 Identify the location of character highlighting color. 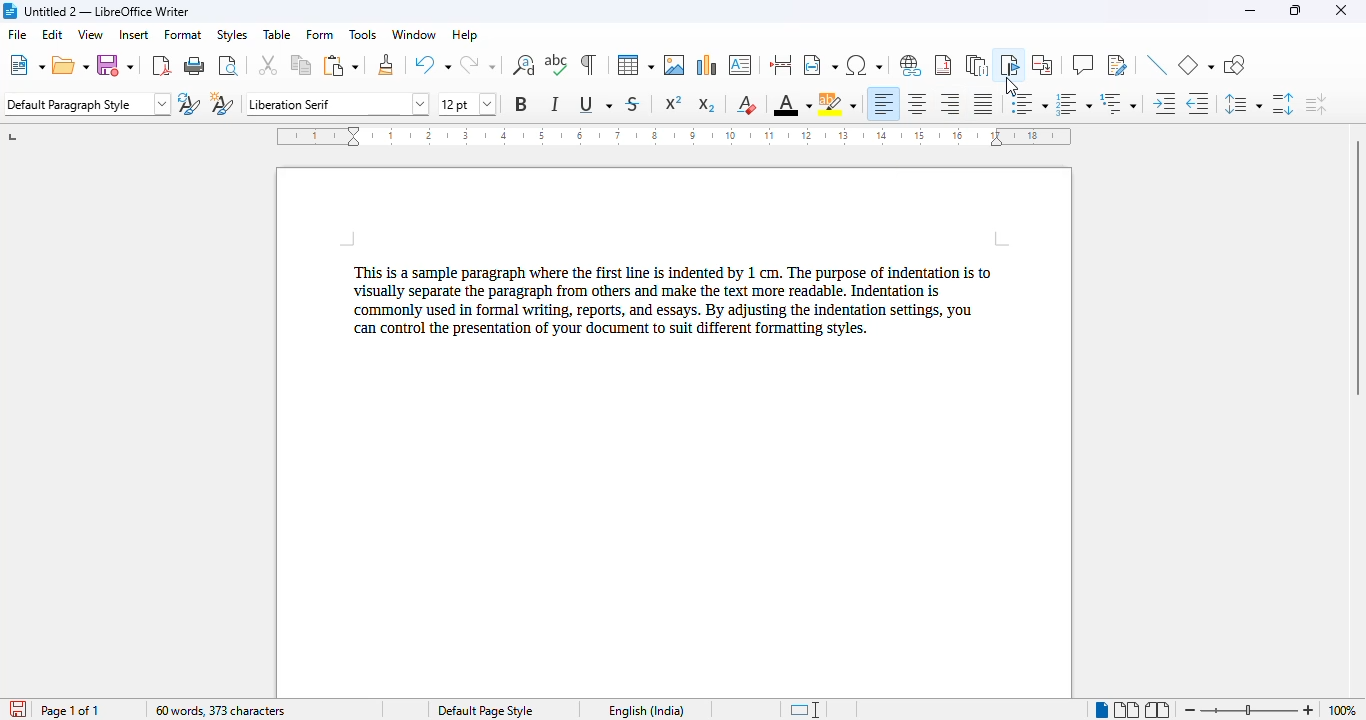
(838, 104).